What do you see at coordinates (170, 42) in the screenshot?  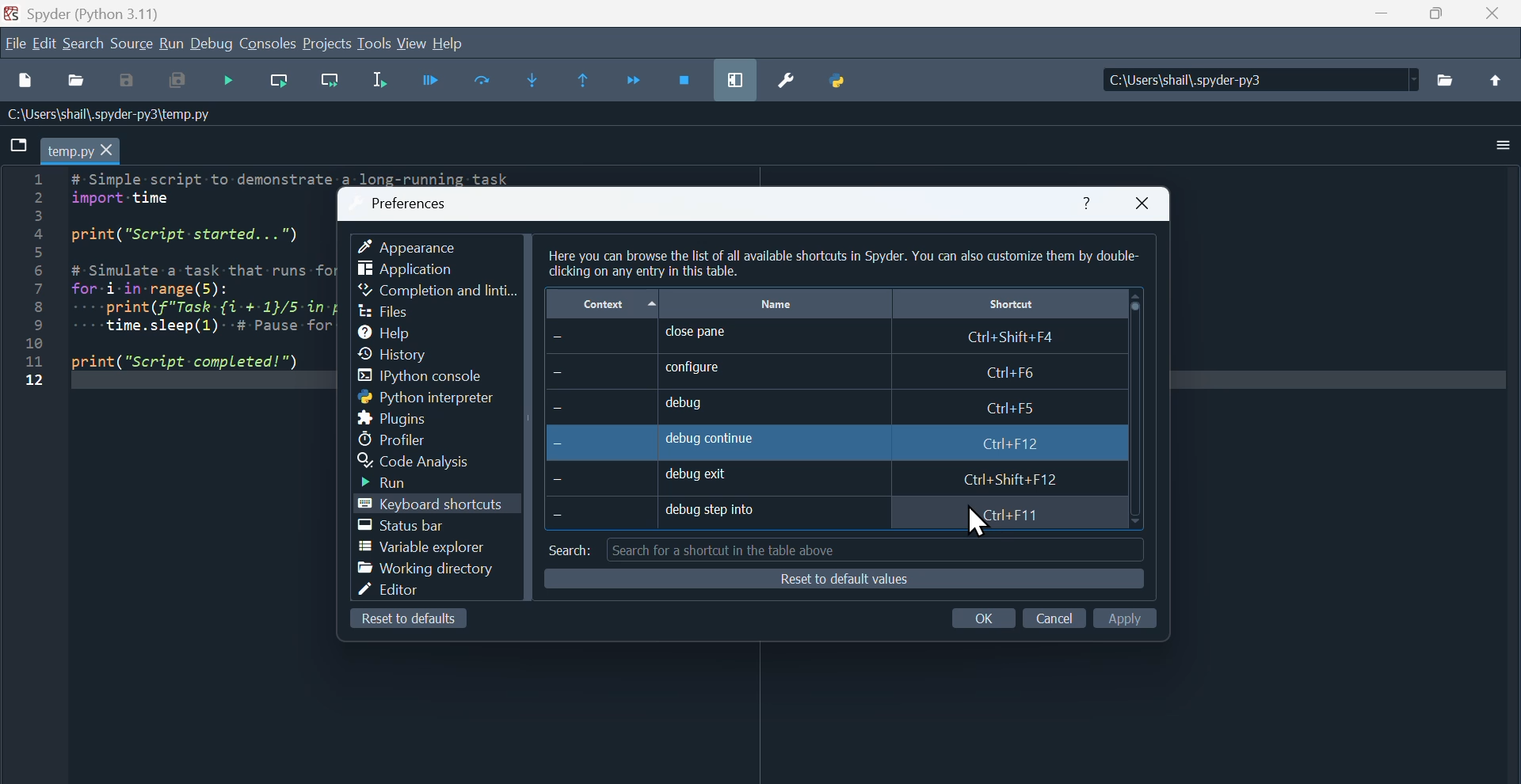 I see `run` at bounding box center [170, 42].